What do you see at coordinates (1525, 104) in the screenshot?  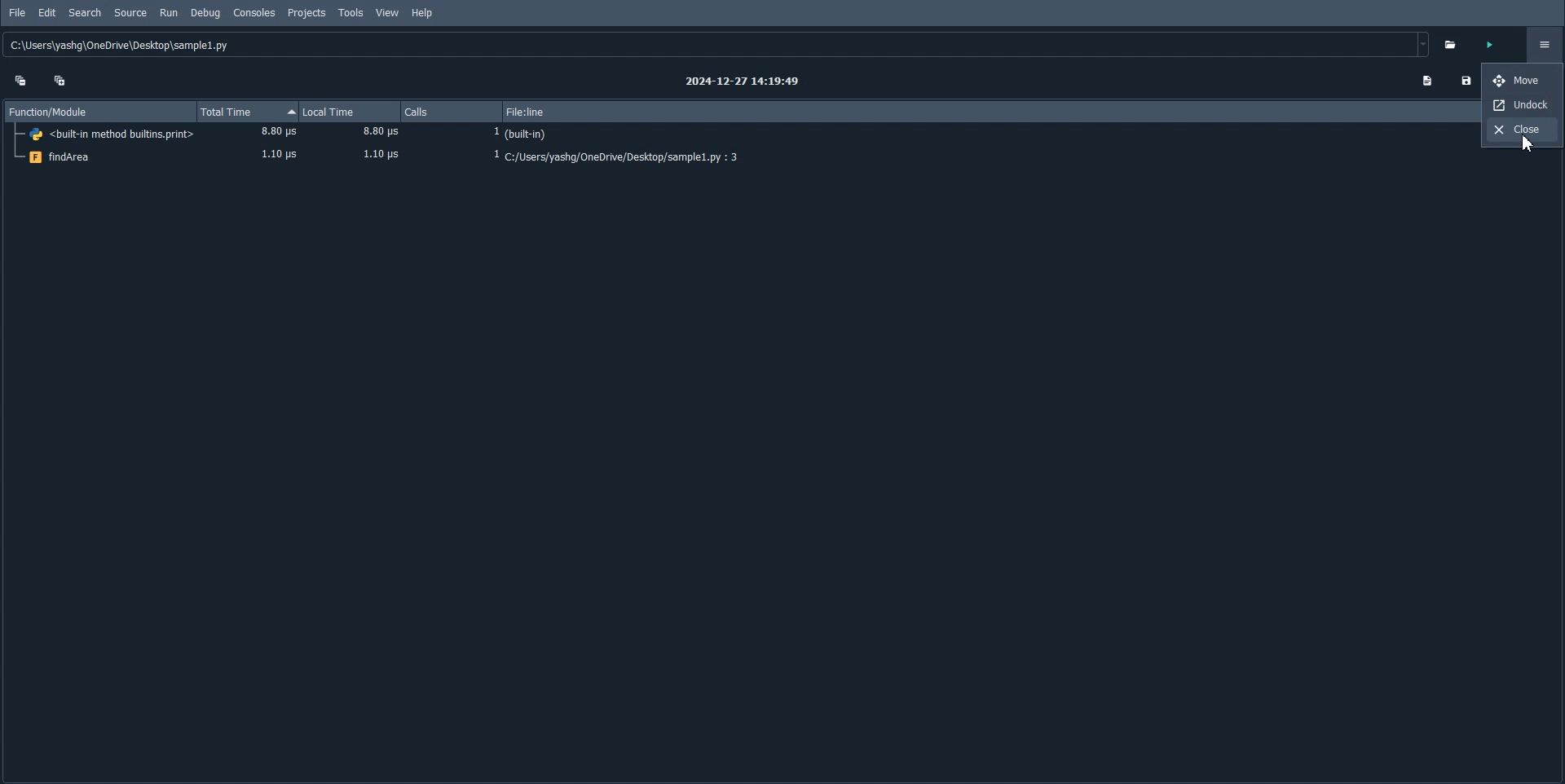 I see `Undock` at bounding box center [1525, 104].